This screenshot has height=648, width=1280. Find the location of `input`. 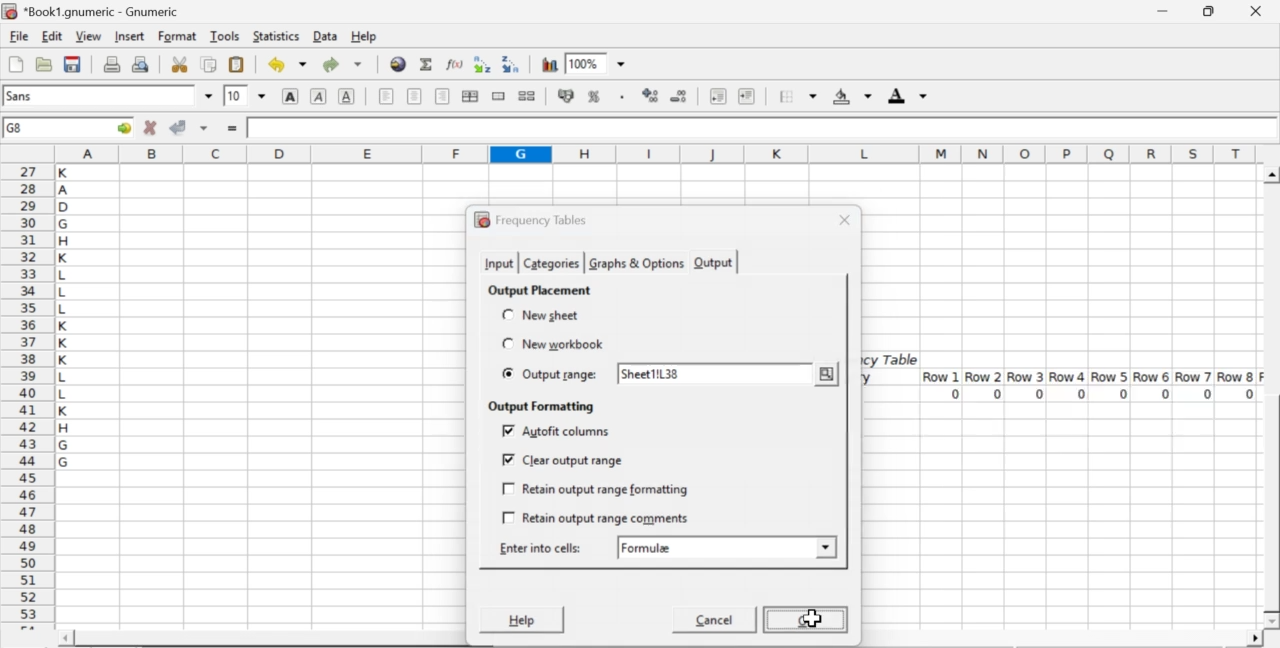

input is located at coordinates (498, 263).